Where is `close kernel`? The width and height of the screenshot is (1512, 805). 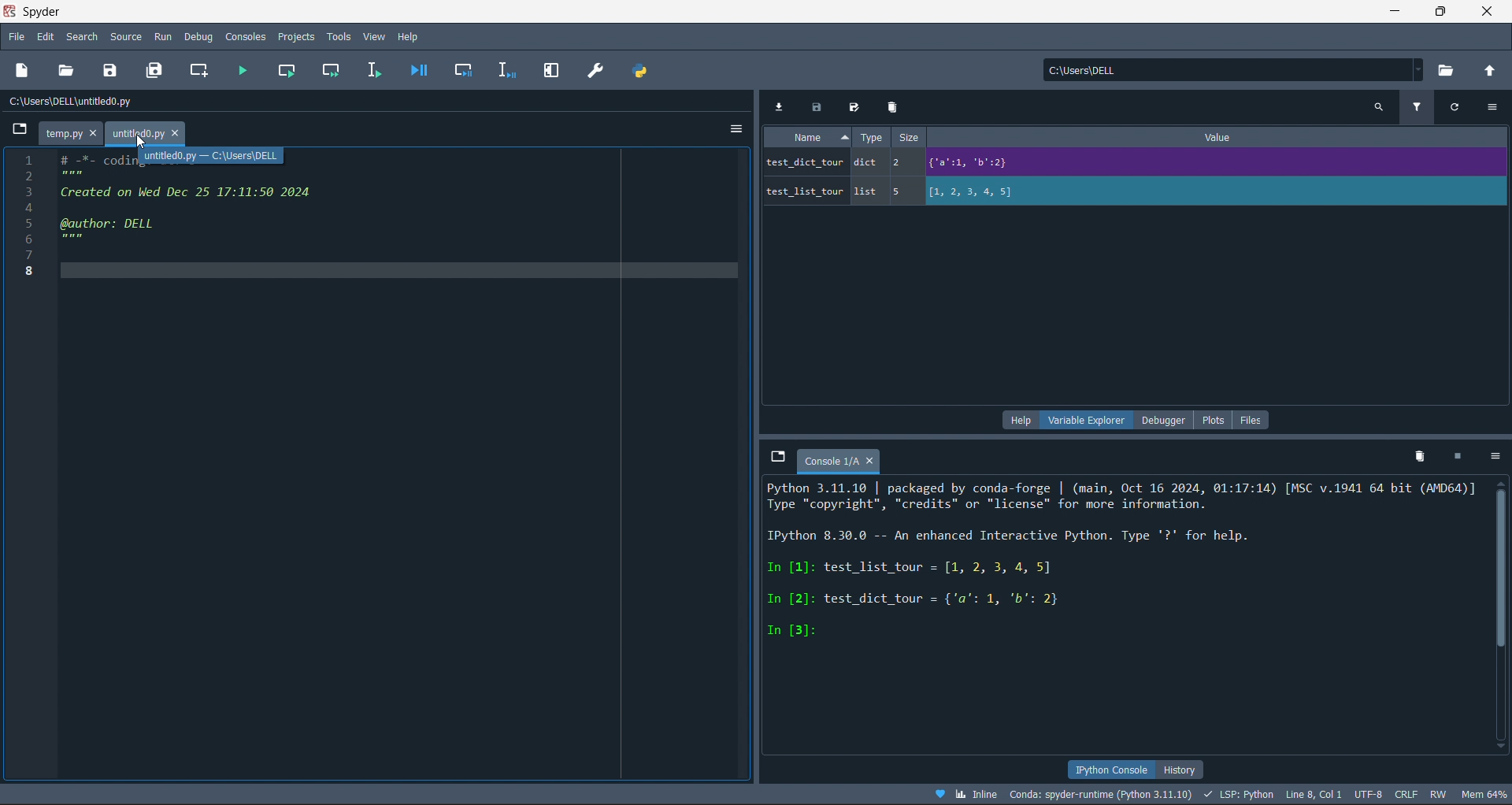 close kernel is located at coordinates (1458, 455).